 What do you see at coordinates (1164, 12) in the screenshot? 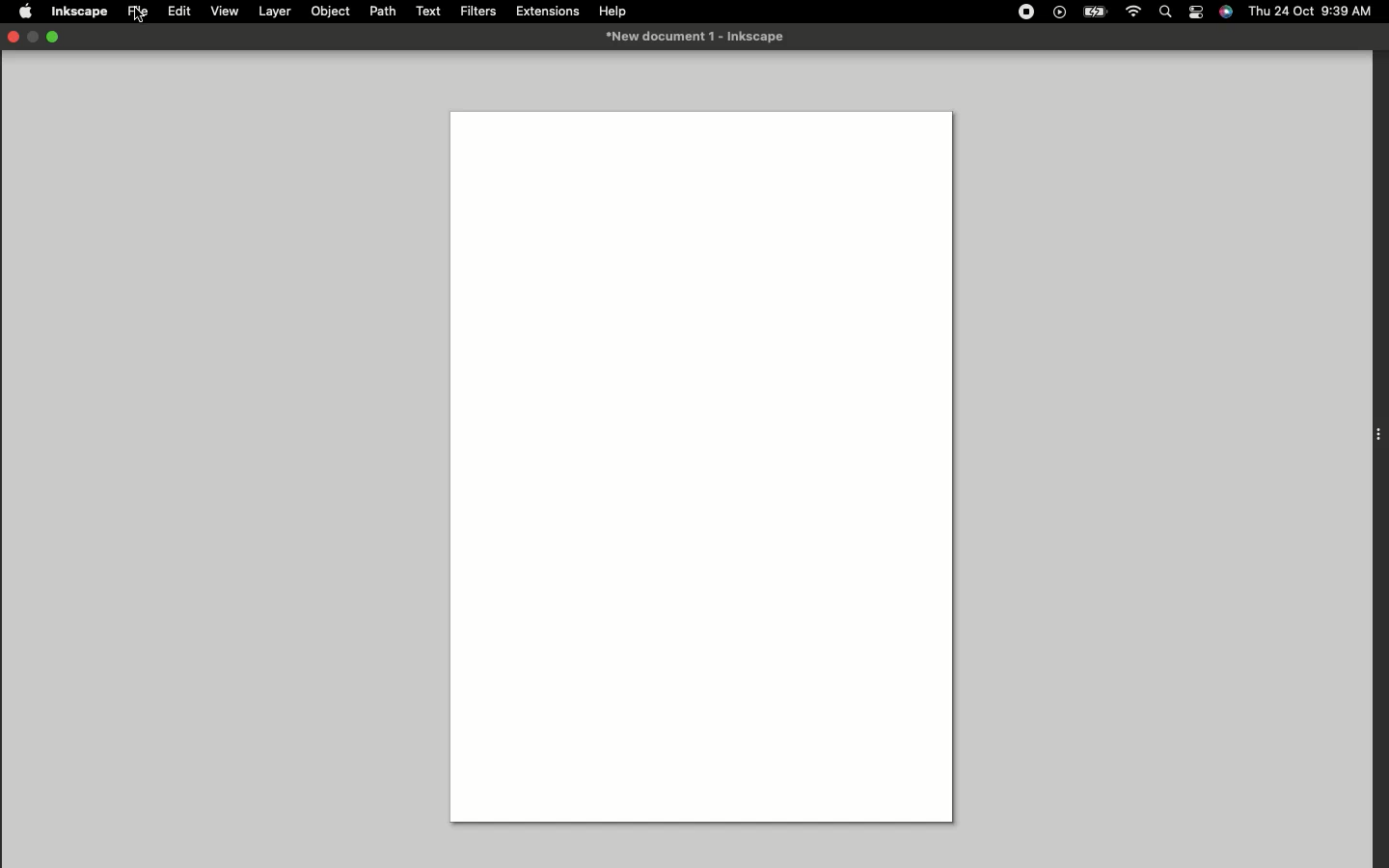
I see `Search` at bounding box center [1164, 12].